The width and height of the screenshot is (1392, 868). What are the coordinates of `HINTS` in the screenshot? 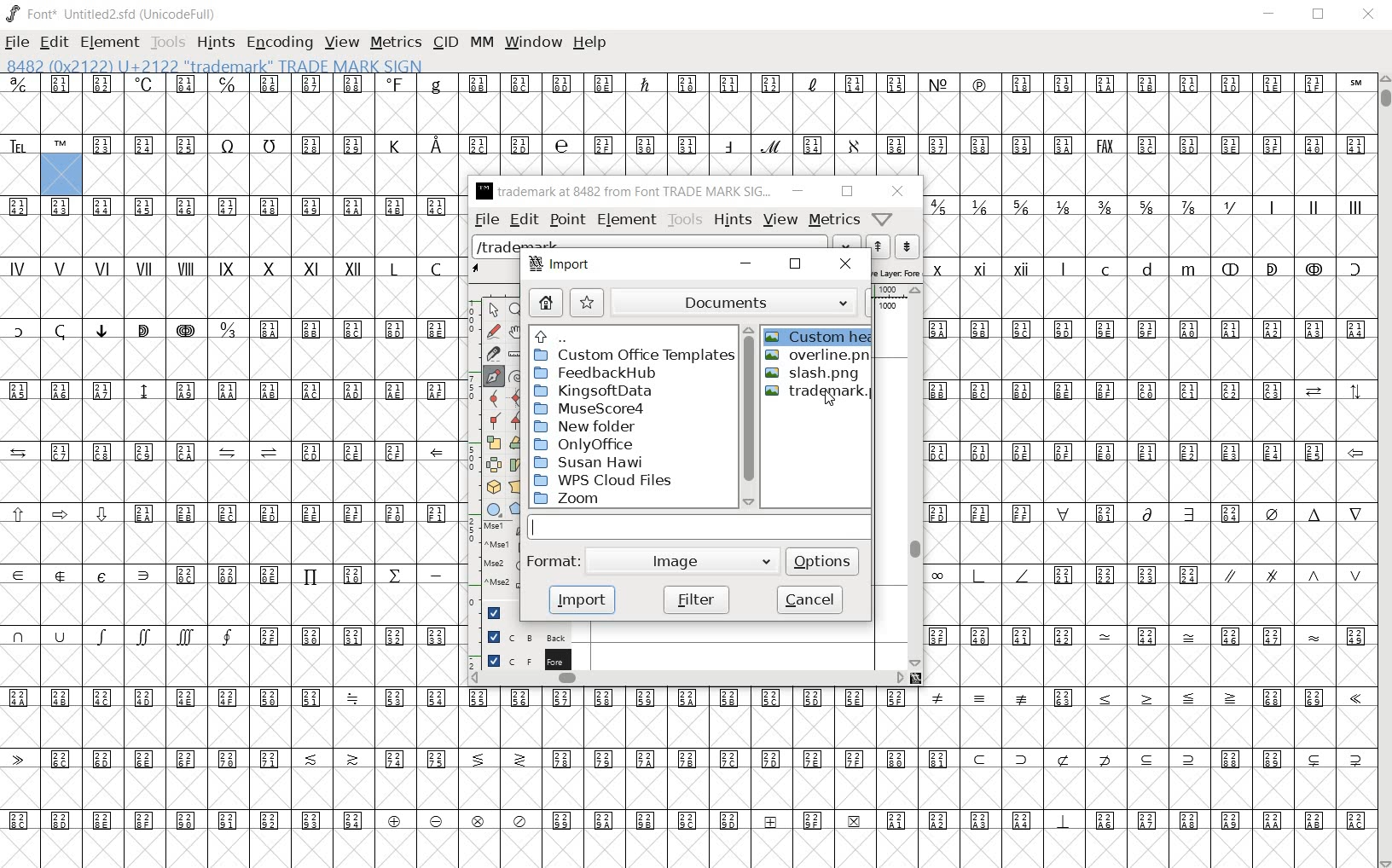 It's located at (214, 42).